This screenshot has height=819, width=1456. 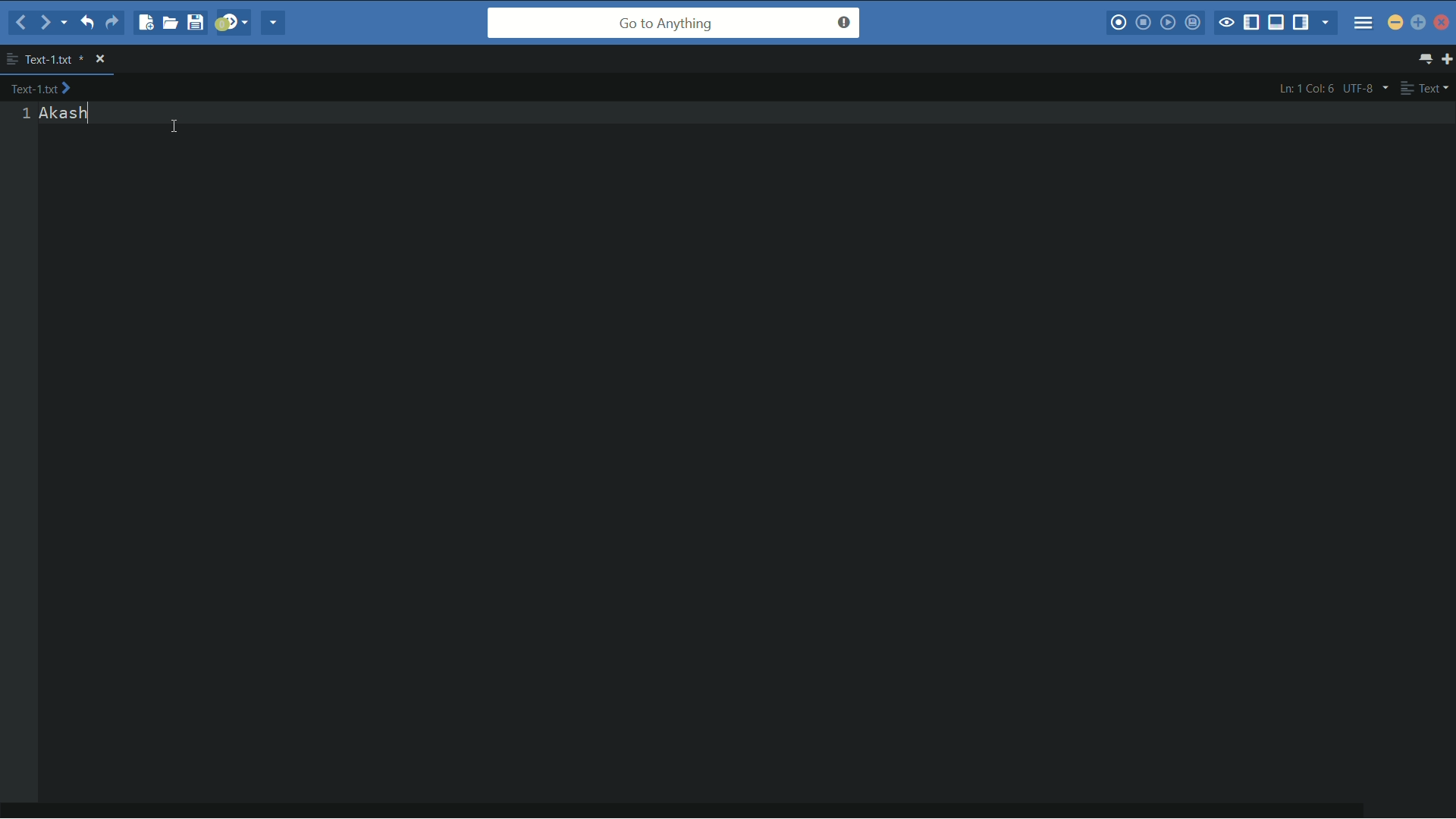 I want to click on close app, so click(x=1442, y=23).